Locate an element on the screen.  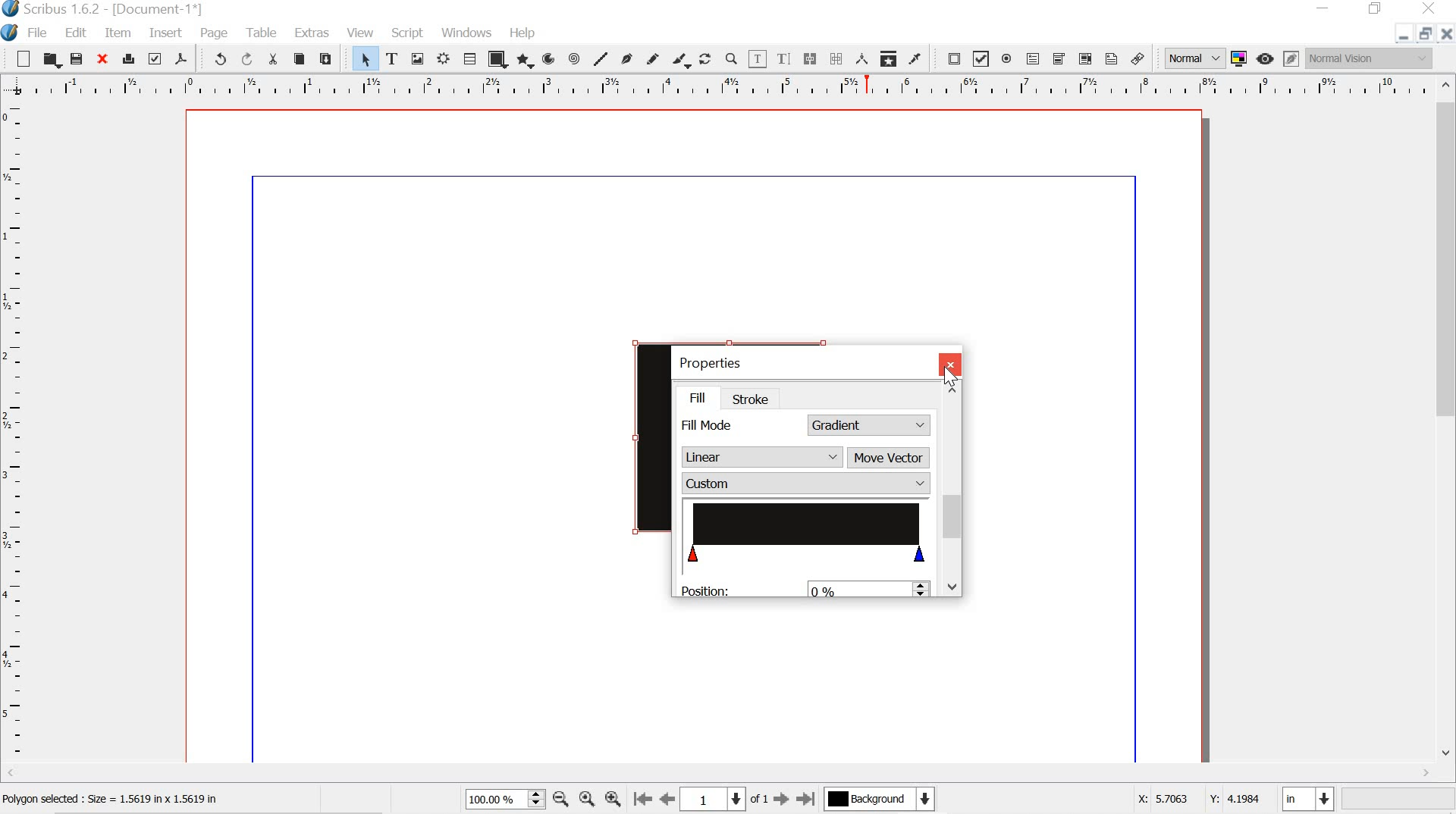
text frame is located at coordinates (392, 57).